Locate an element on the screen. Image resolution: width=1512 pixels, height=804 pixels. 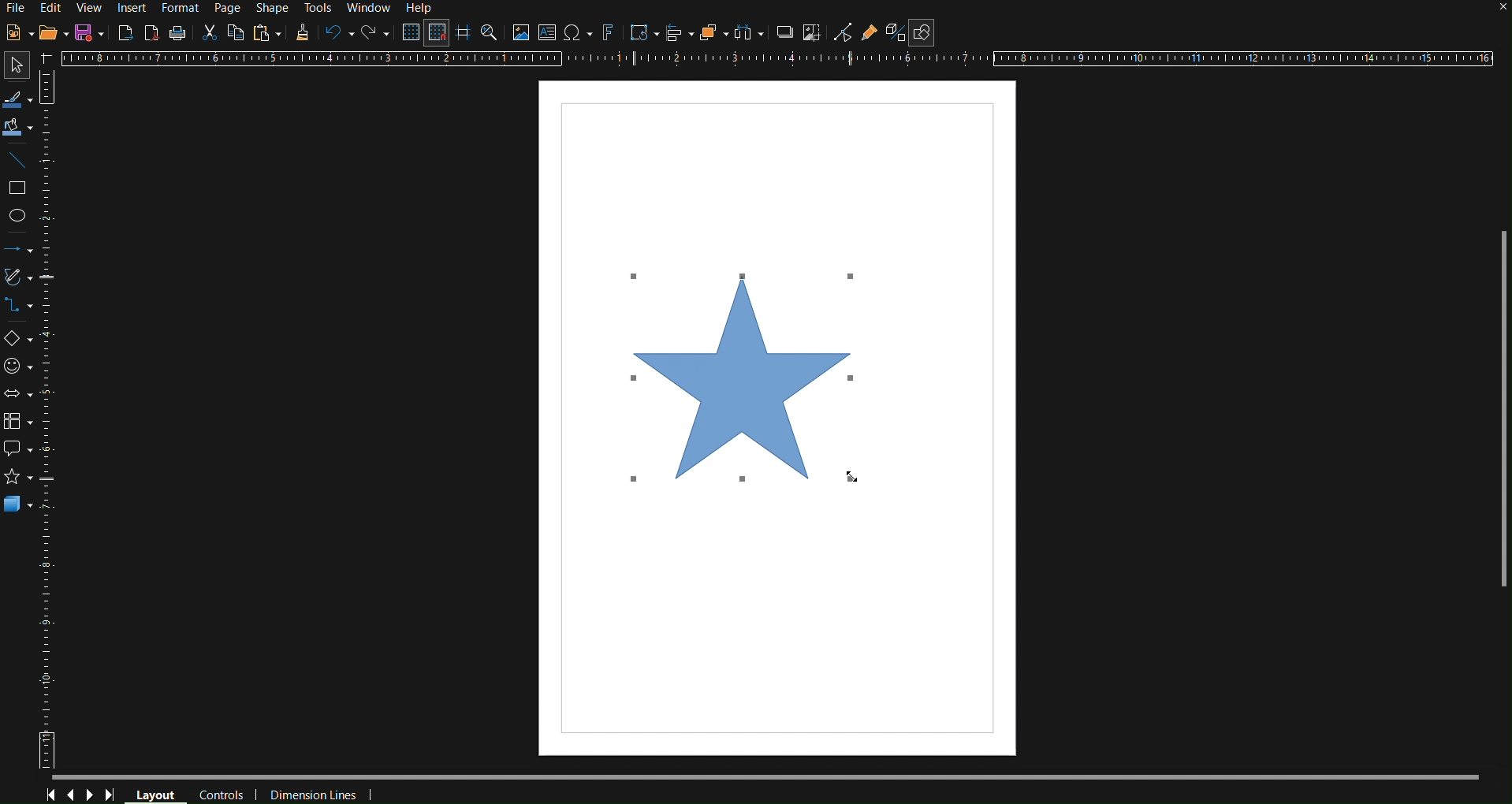
Arrange is located at coordinates (712, 35).